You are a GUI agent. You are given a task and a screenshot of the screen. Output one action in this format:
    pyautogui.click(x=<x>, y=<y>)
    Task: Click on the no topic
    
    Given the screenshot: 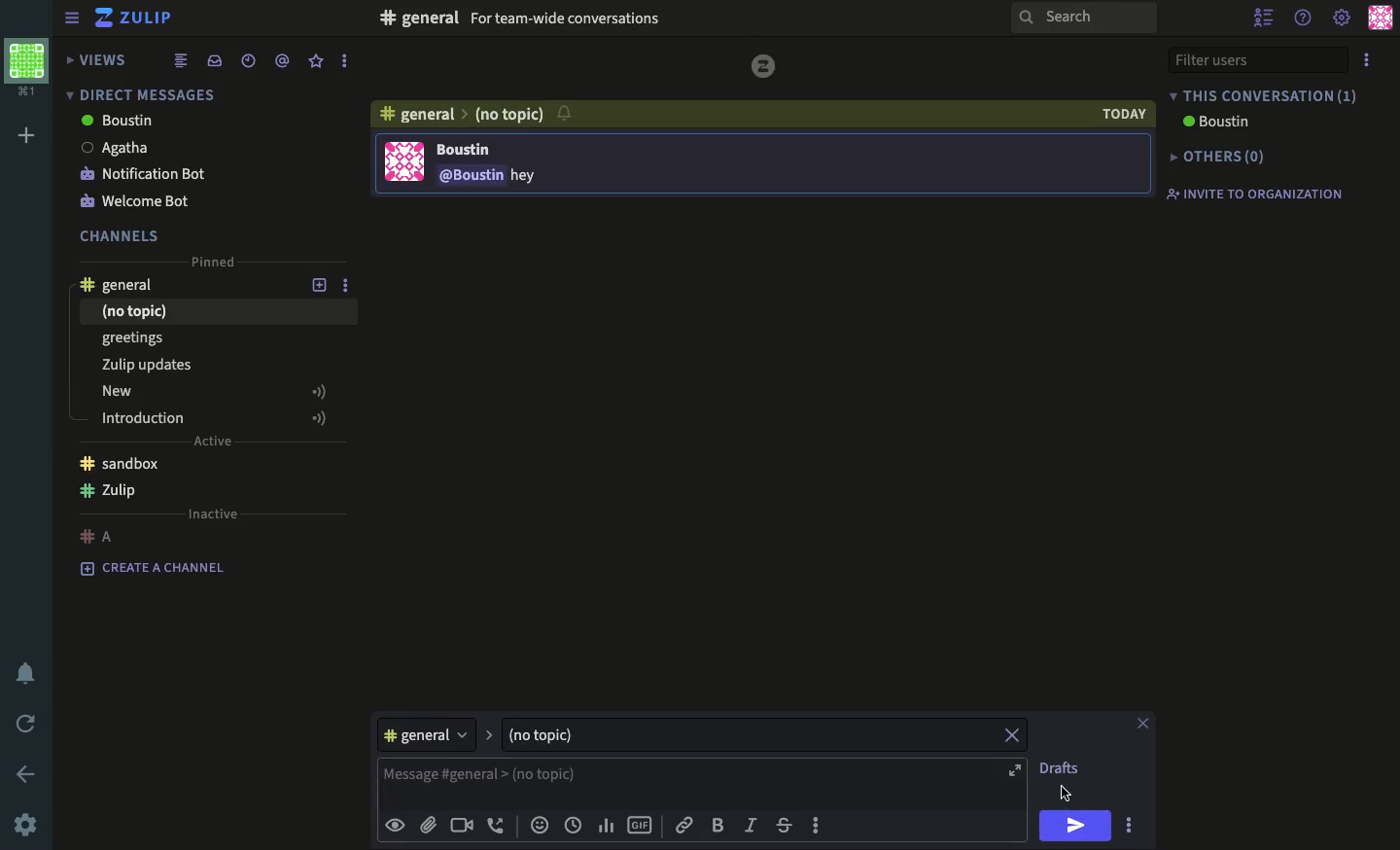 What is the action you would take?
    pyautogui.click(x=142, y=313)
    